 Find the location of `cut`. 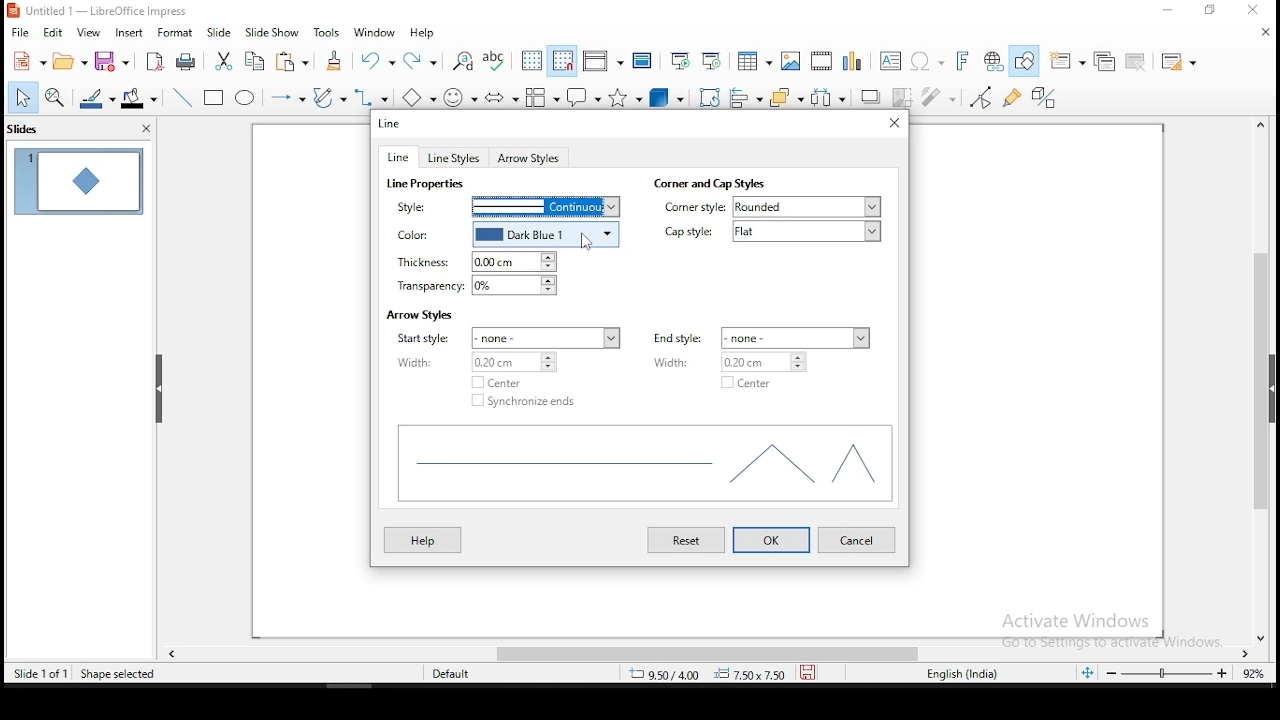

cut is located at coordinates (224, 63).